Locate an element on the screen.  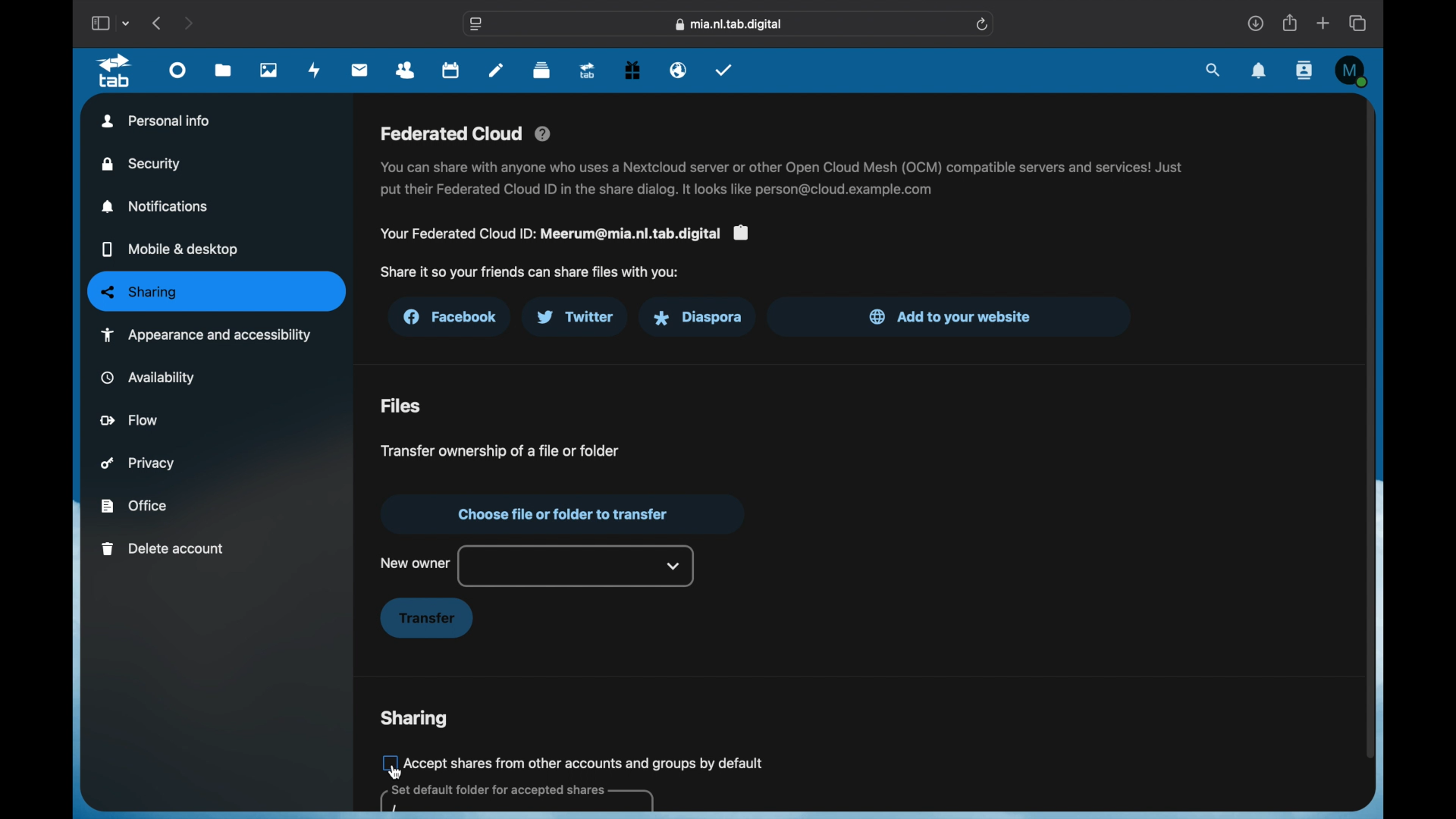
notifications is located at coordinates (1259, 71).